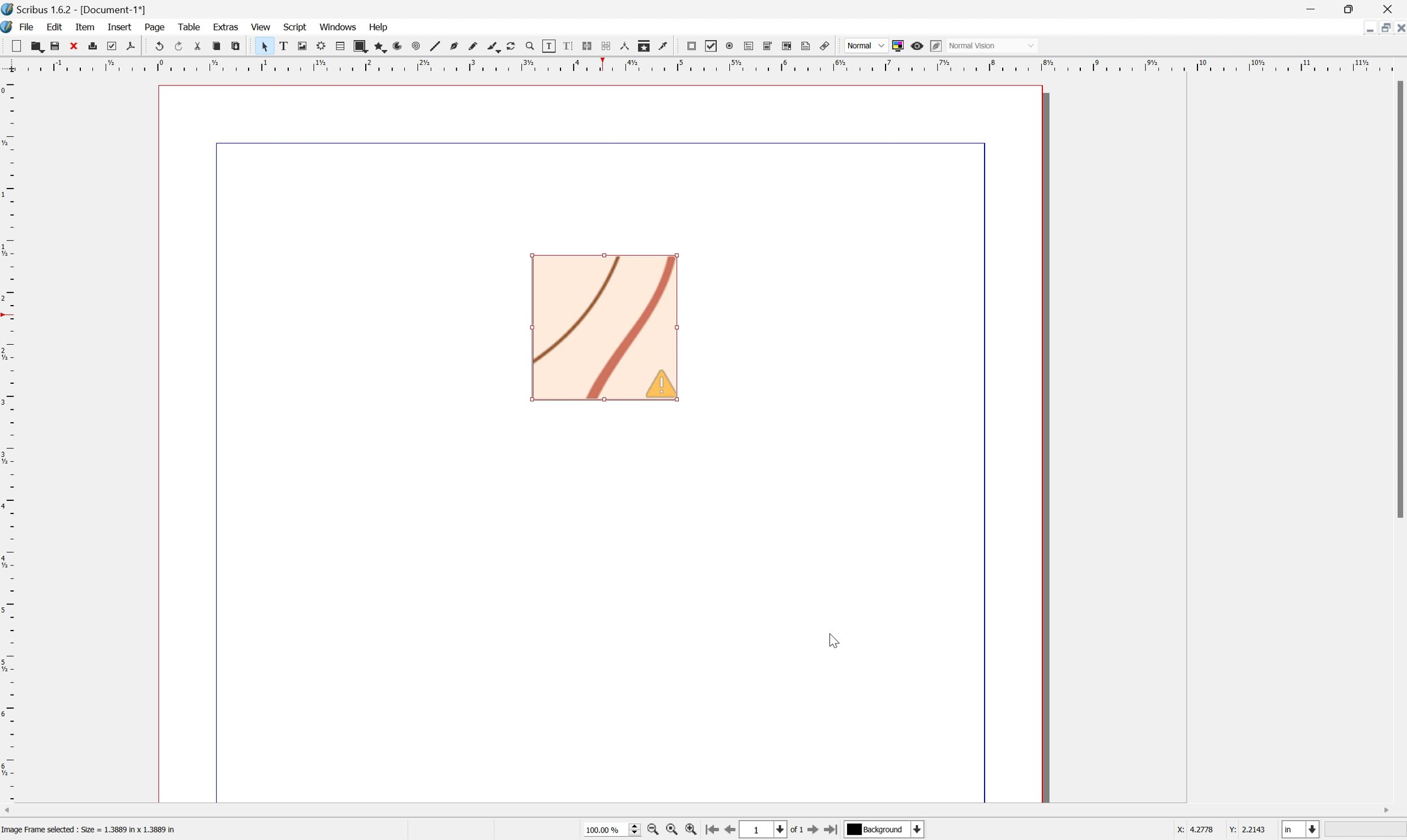  Describe the element at coordinates (515, 46) in the screenshot. I see `Rotate item` at that location.